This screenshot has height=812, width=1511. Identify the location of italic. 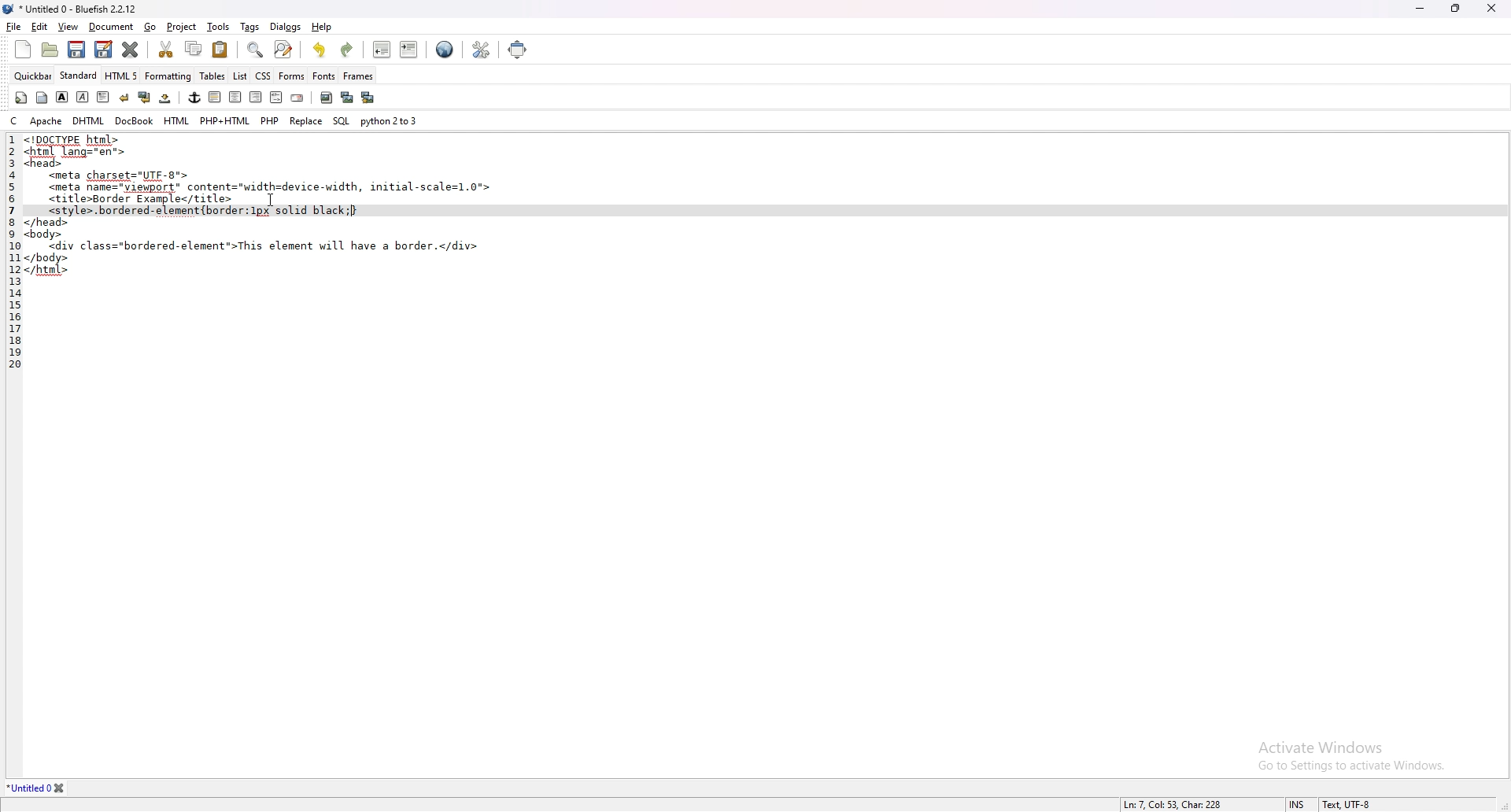
(82, 97).